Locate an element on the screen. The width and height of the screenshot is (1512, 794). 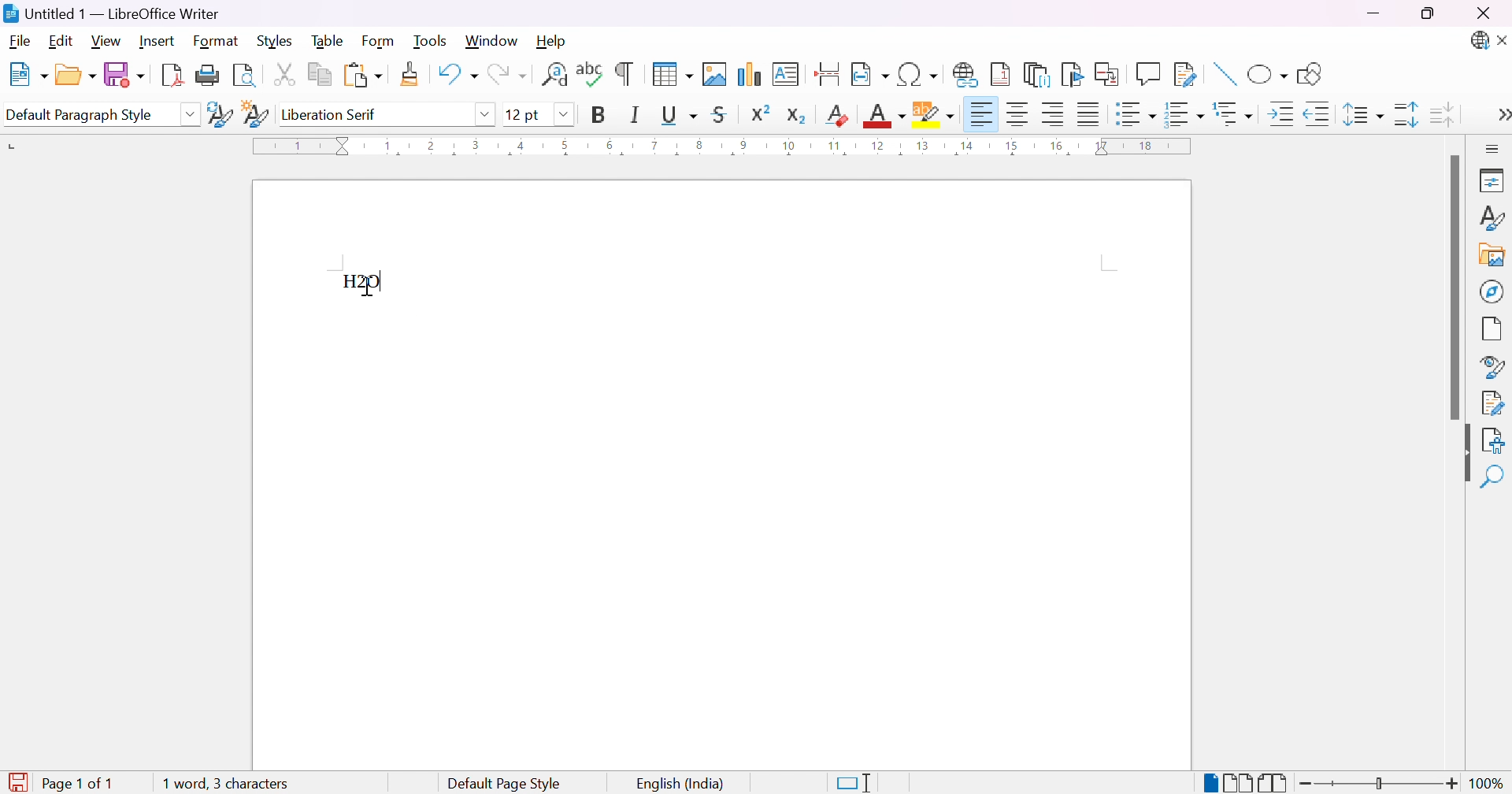
Tools is located at coordinates (433, 42).